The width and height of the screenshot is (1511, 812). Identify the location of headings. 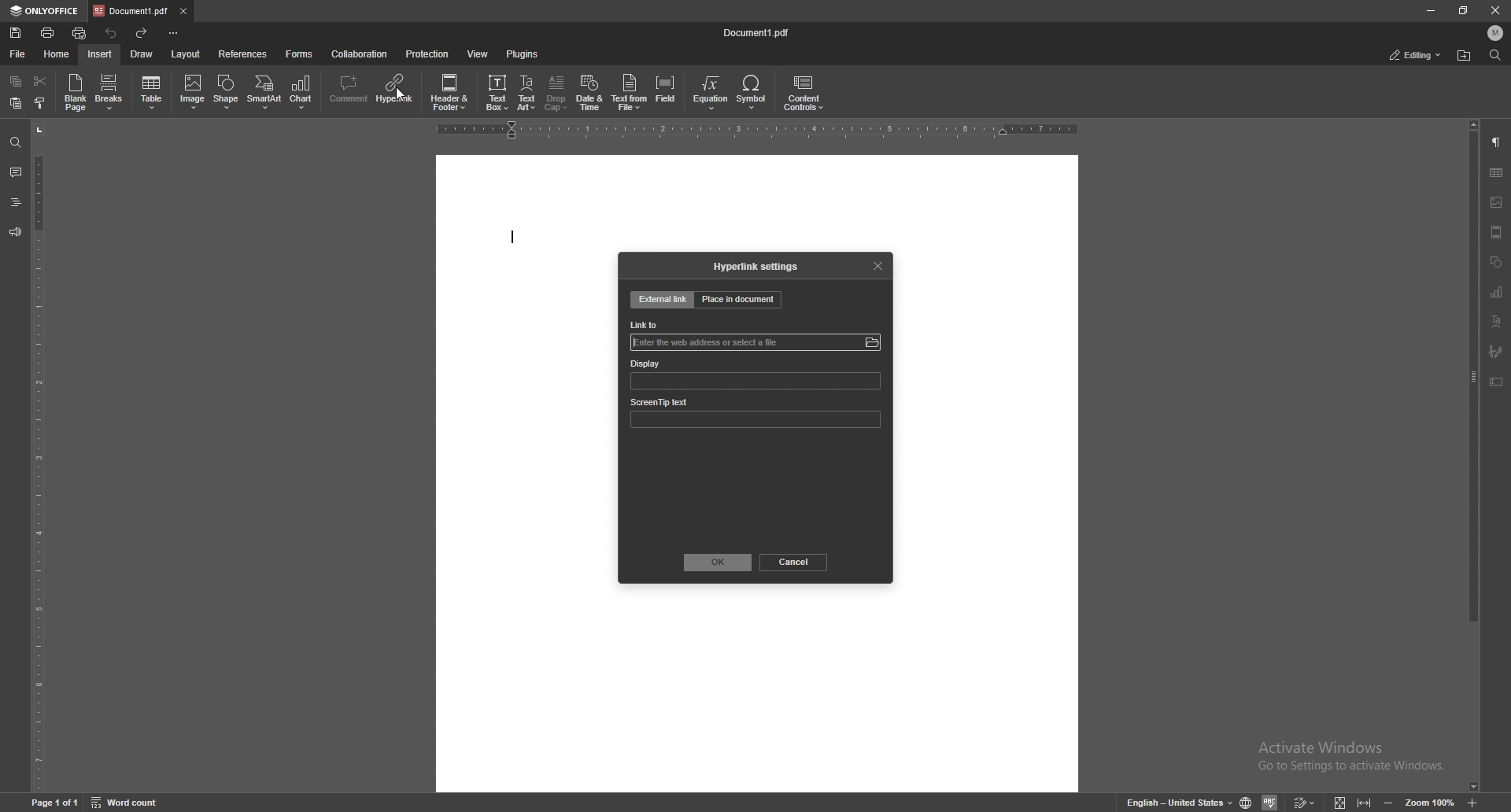
(15, 202).